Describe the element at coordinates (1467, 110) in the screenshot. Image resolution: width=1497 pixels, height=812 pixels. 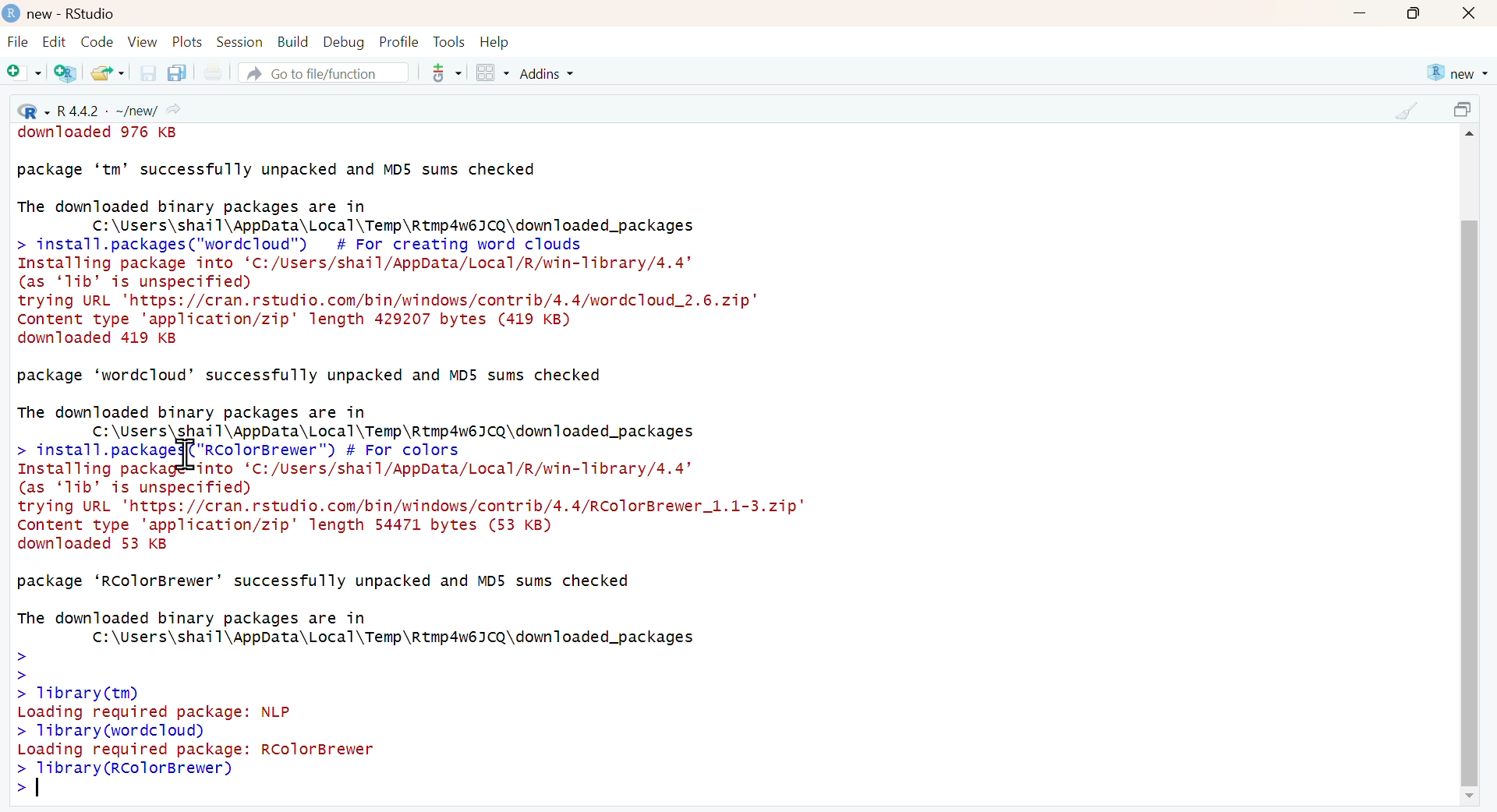
I see `maximize` at that location.